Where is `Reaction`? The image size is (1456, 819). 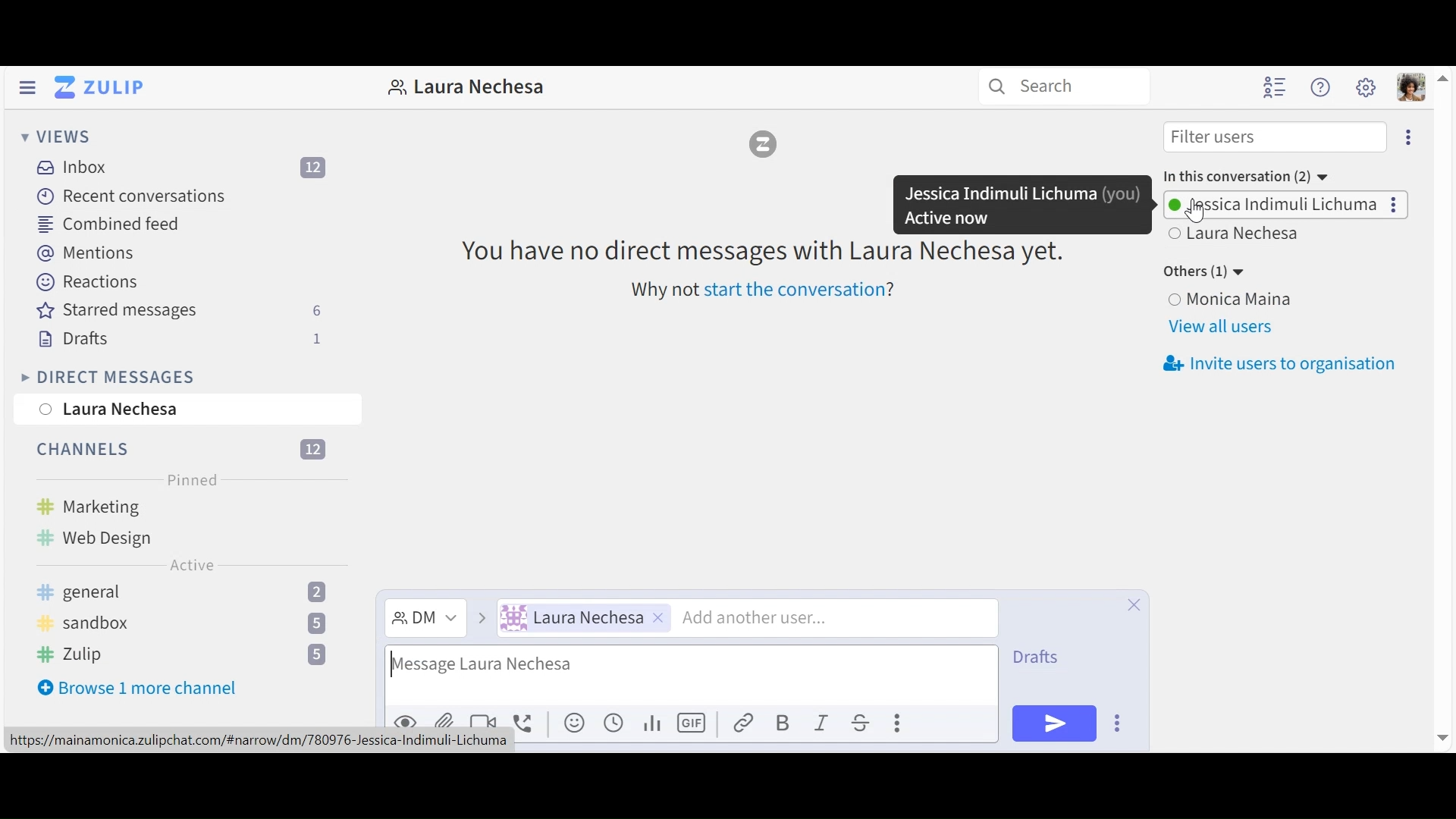 Reaction is located at coordinates (87, 281).